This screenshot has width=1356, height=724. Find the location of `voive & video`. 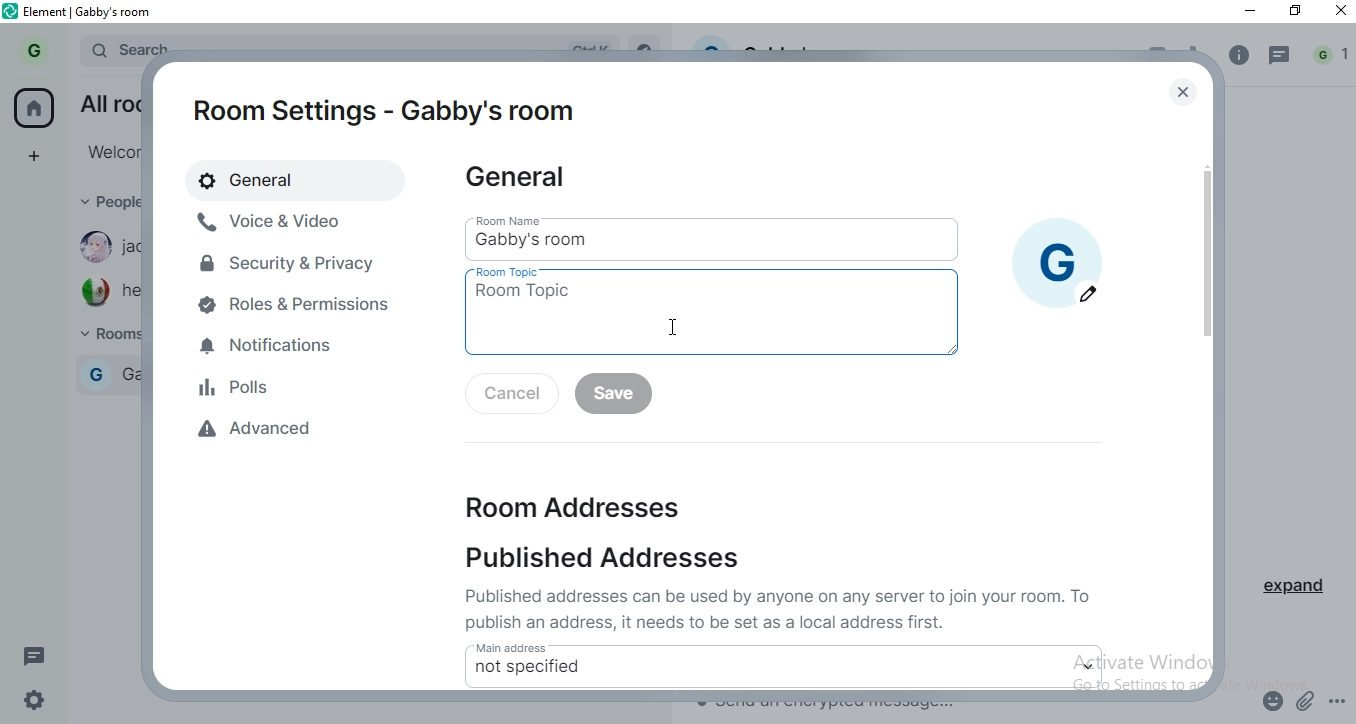

voive & video is located at coordinates (277, 221).